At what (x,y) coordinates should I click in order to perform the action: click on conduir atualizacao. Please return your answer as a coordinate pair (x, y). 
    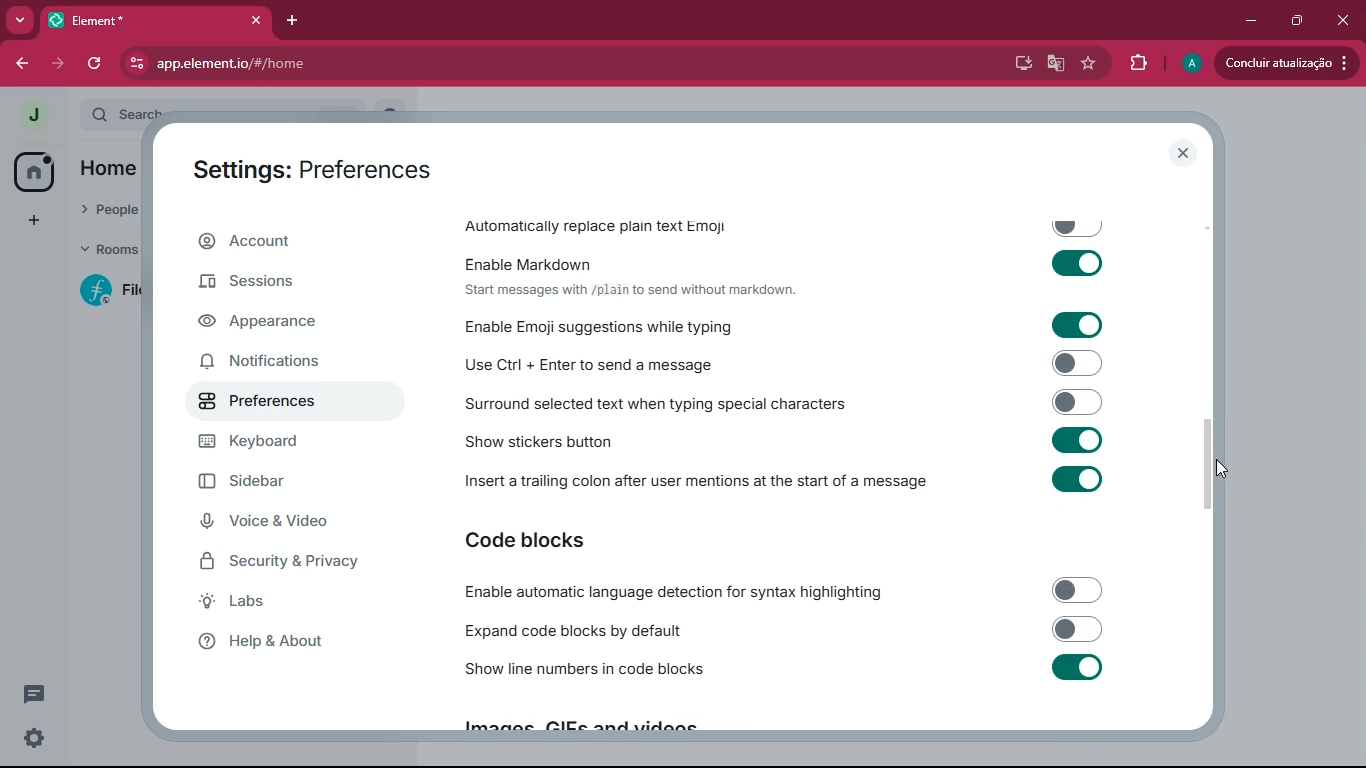
    Looking at the image, I should click on (1285, 63).